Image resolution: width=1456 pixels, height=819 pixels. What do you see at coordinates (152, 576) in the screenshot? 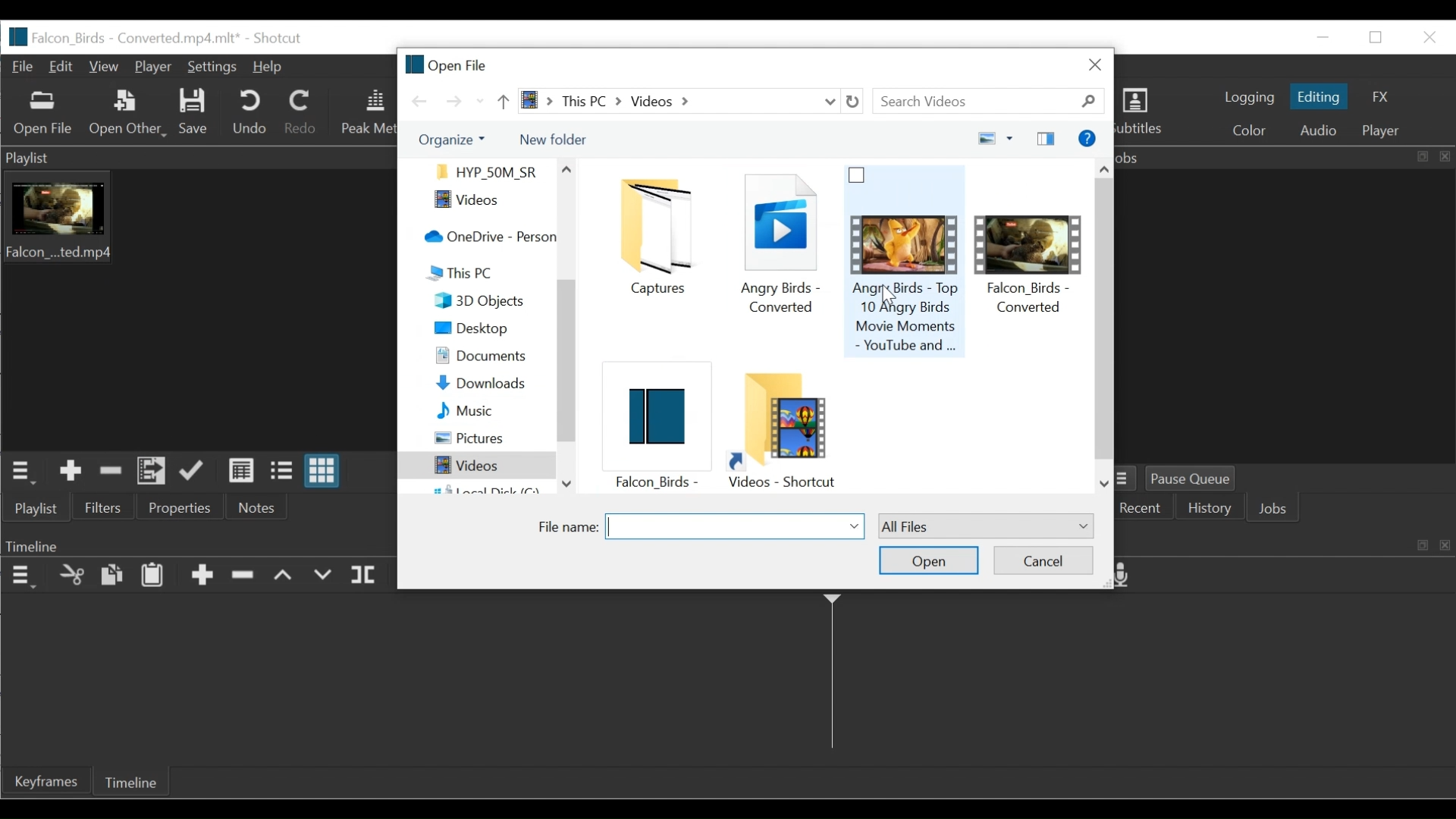
I see `Paste` at bounding box center [152, 576].